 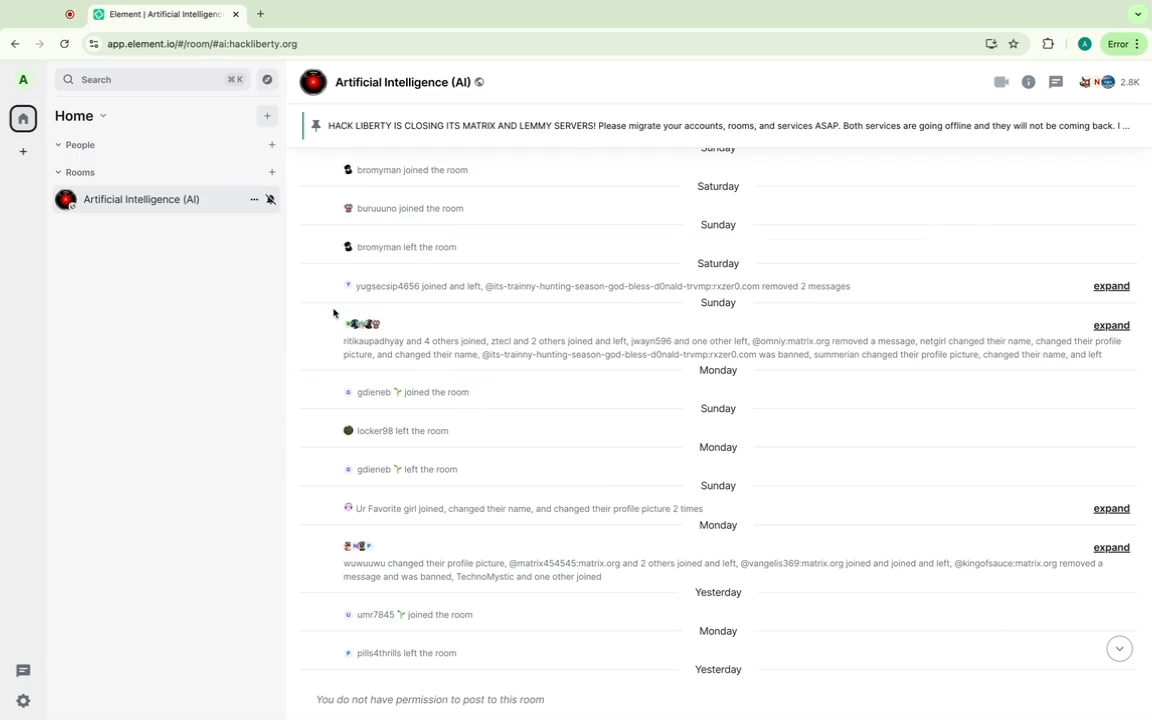 I want to click on Home, so click(x=90, y=116).